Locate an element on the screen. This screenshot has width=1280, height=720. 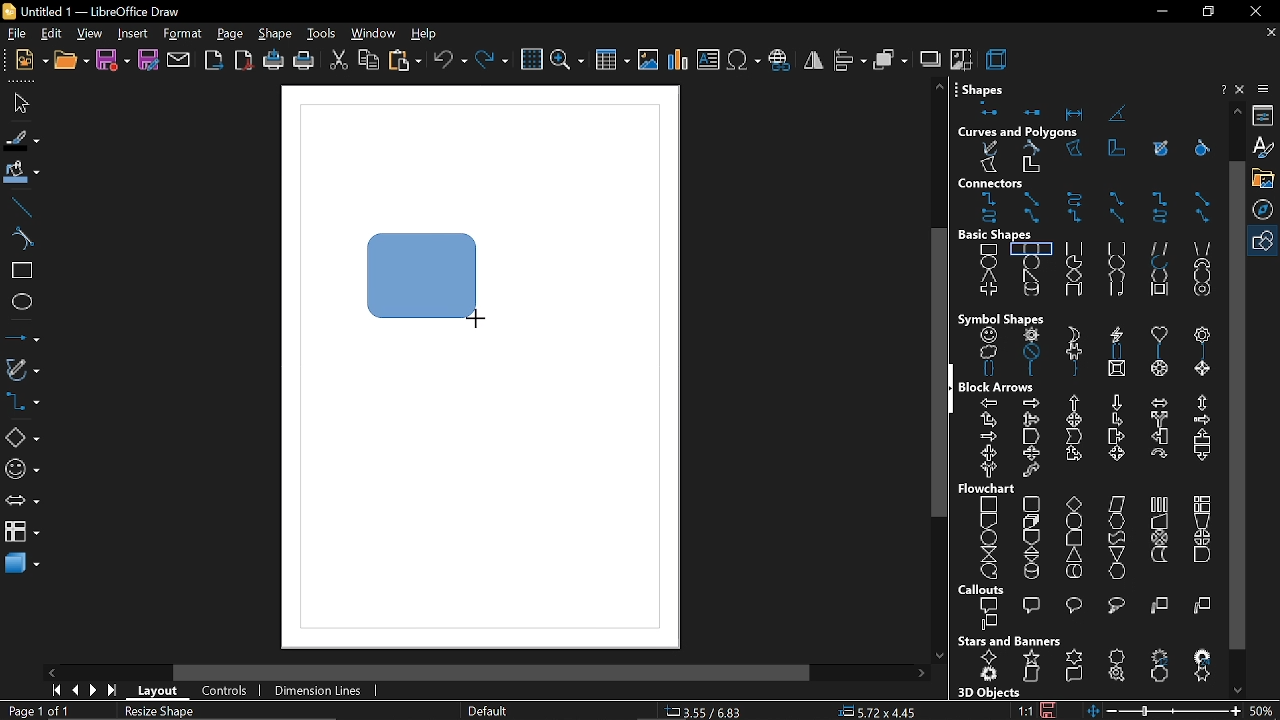
rectangle is located at coordinates (22, 272).